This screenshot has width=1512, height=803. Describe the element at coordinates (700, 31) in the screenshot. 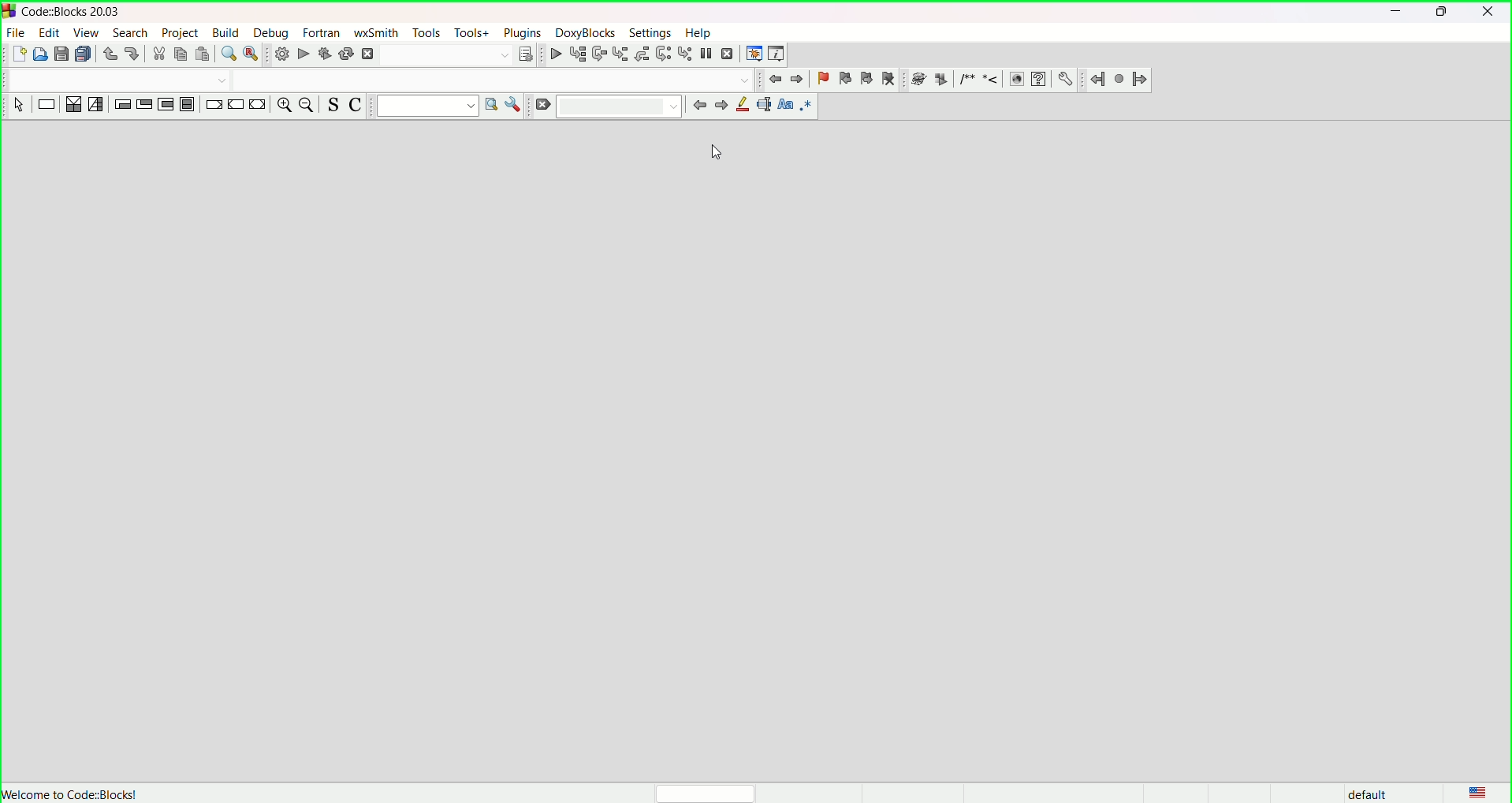

I see `help` at that location.